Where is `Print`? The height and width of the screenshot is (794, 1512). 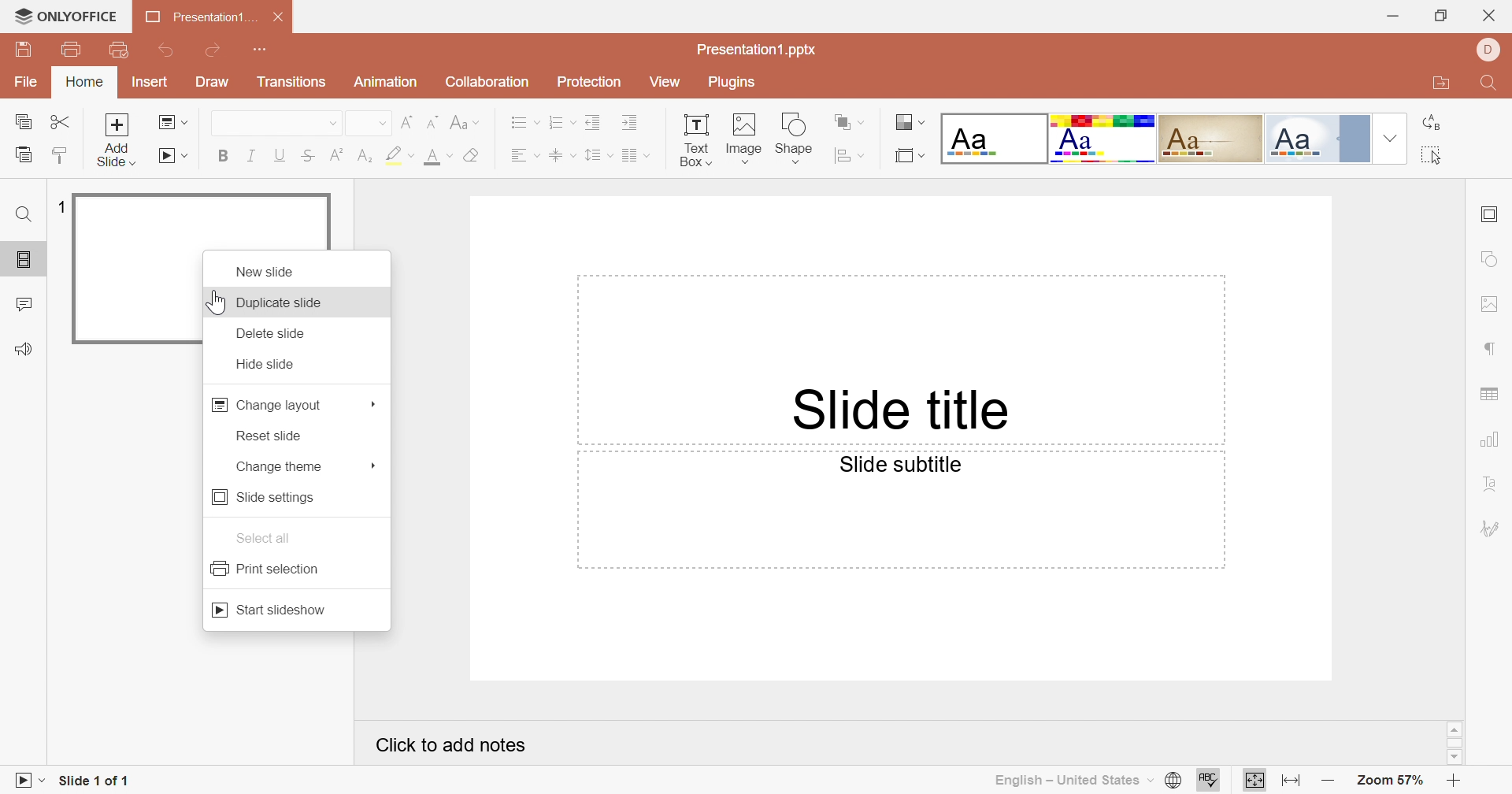
Print is located at coordinates (74, 46).